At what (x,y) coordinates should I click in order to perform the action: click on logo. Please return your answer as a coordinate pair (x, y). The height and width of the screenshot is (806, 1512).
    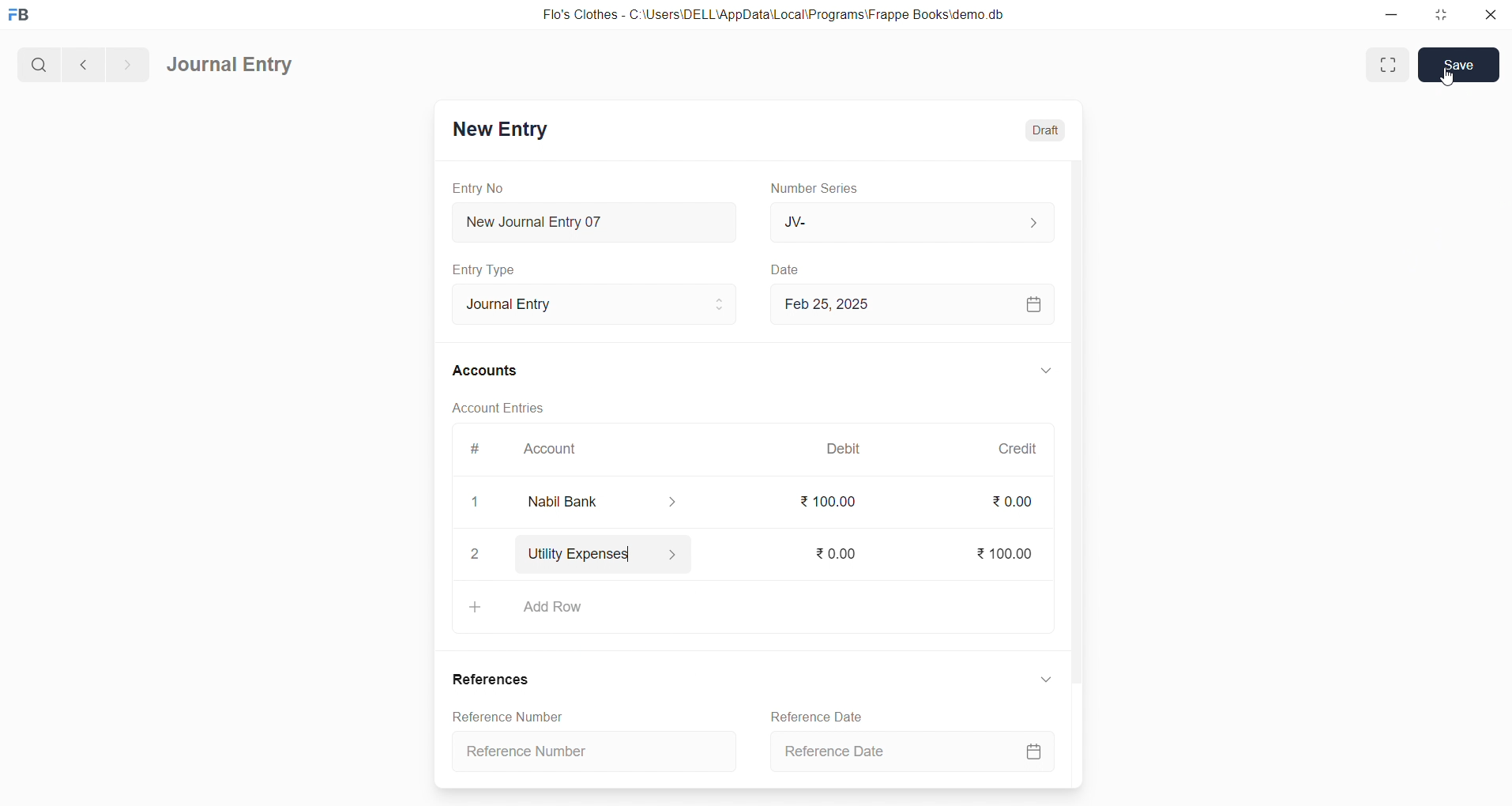
    Looking at the image, I should click on (23, 16).